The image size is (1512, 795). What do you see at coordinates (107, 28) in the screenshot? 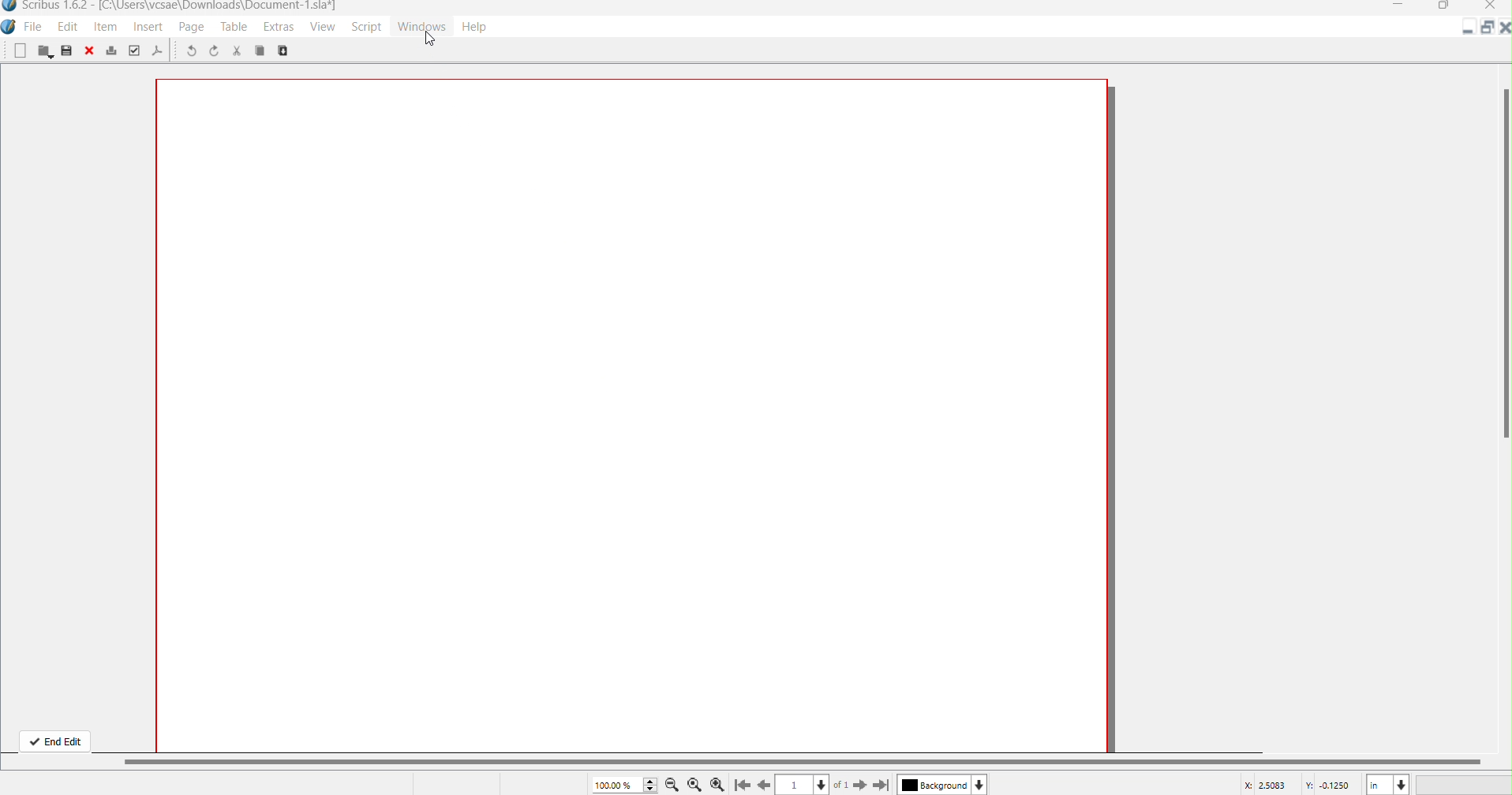
I see `` at bounding box center [107, 28].